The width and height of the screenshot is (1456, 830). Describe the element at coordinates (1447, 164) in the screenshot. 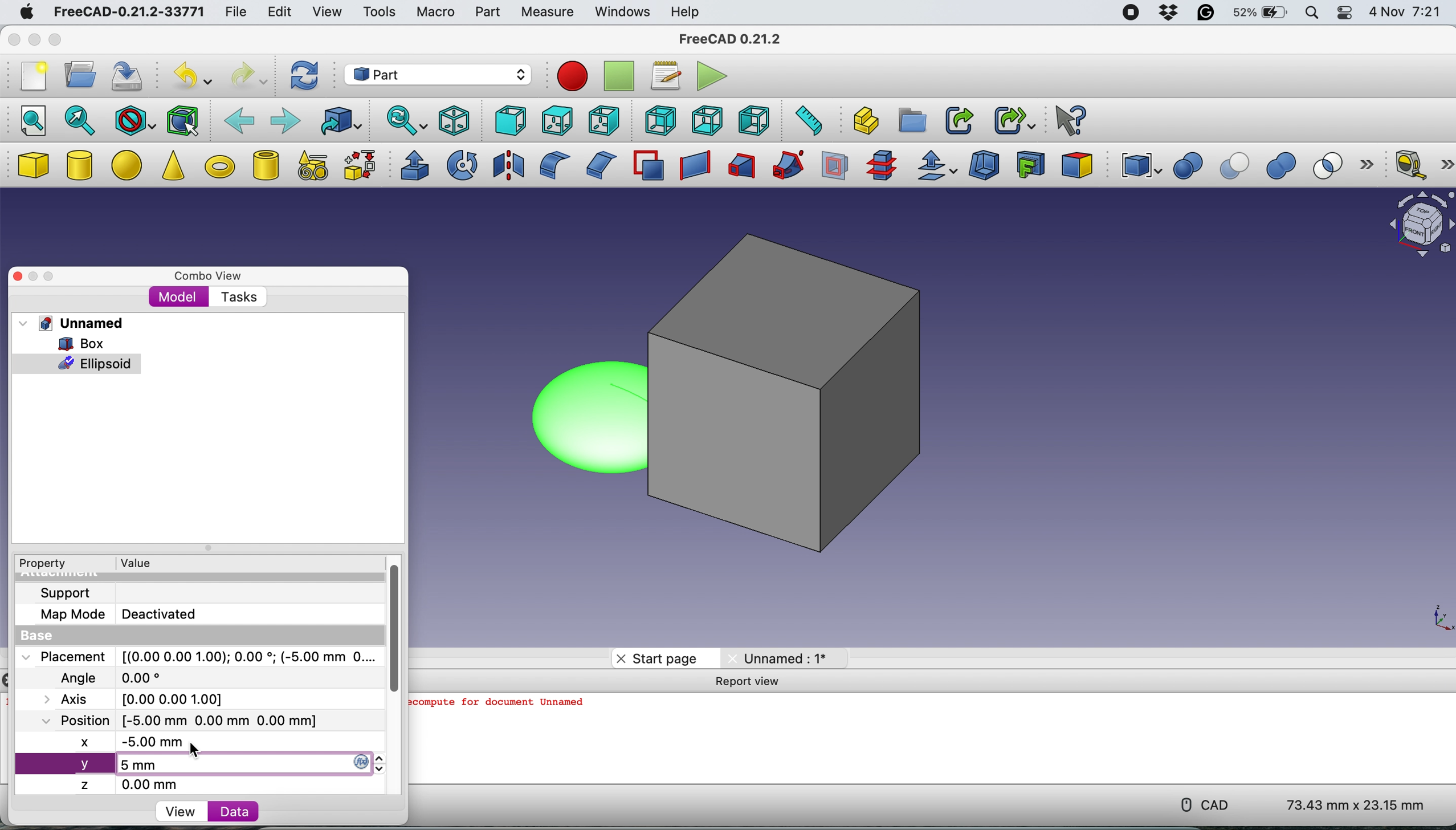

I see `more options` at that location.